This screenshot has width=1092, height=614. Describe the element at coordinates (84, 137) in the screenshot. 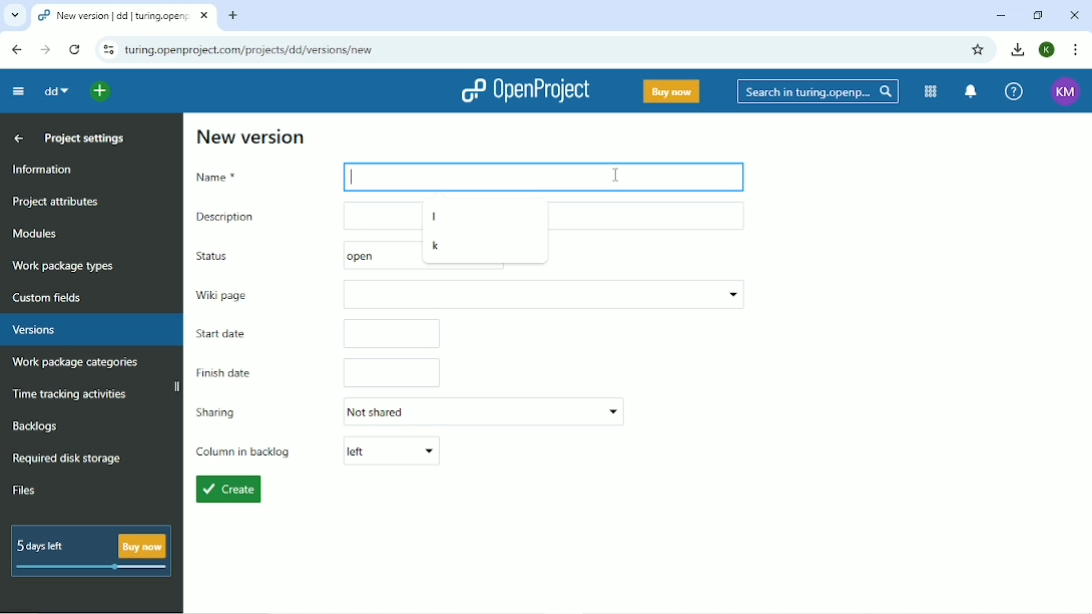

I see `Project settings` at that location.